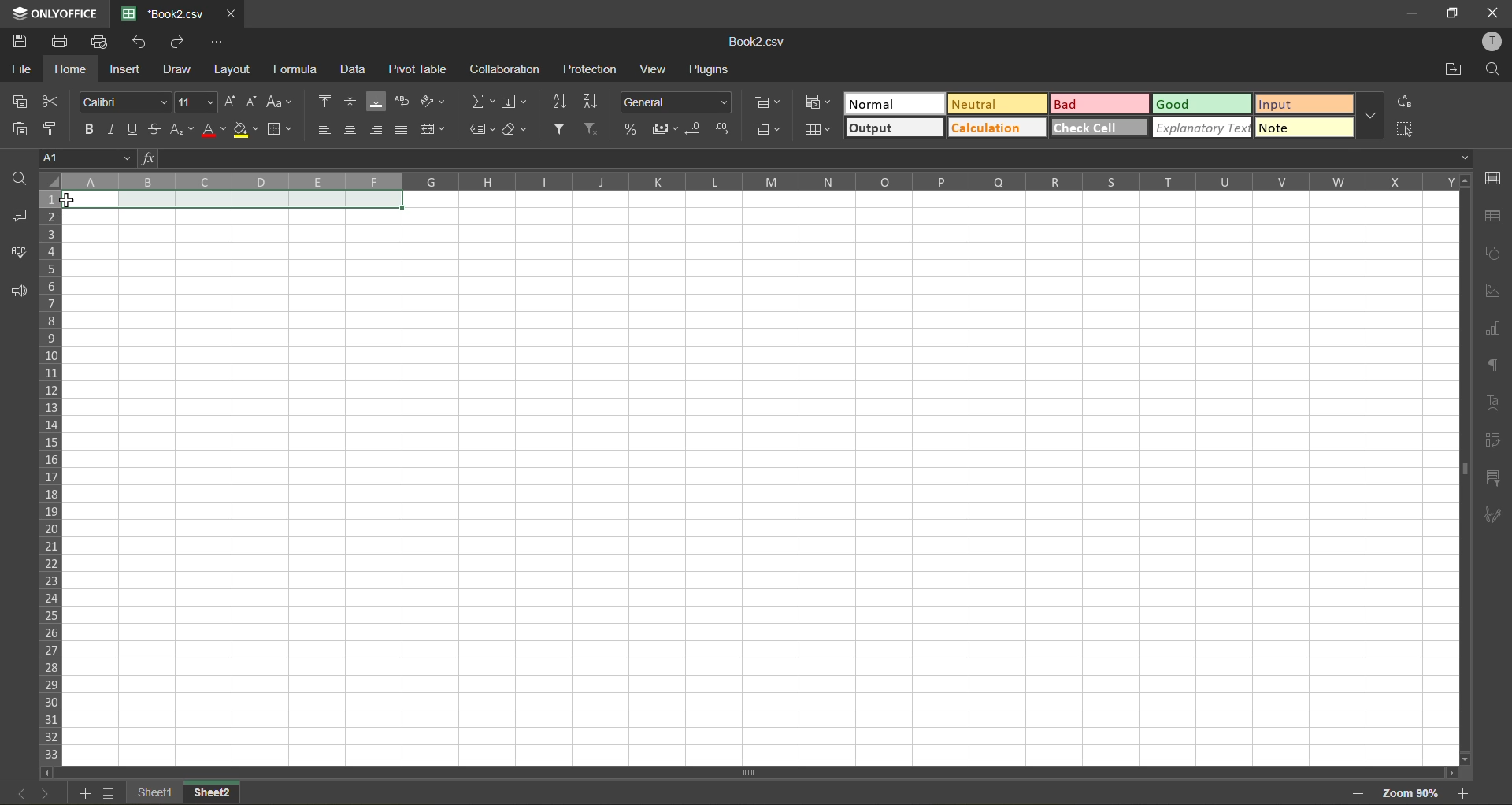 The height and width of the screenshot is (805, 1512). Describe the element at coordinates (754, 772) in the screenshot. I see `horizontal scrollbar` at that location.